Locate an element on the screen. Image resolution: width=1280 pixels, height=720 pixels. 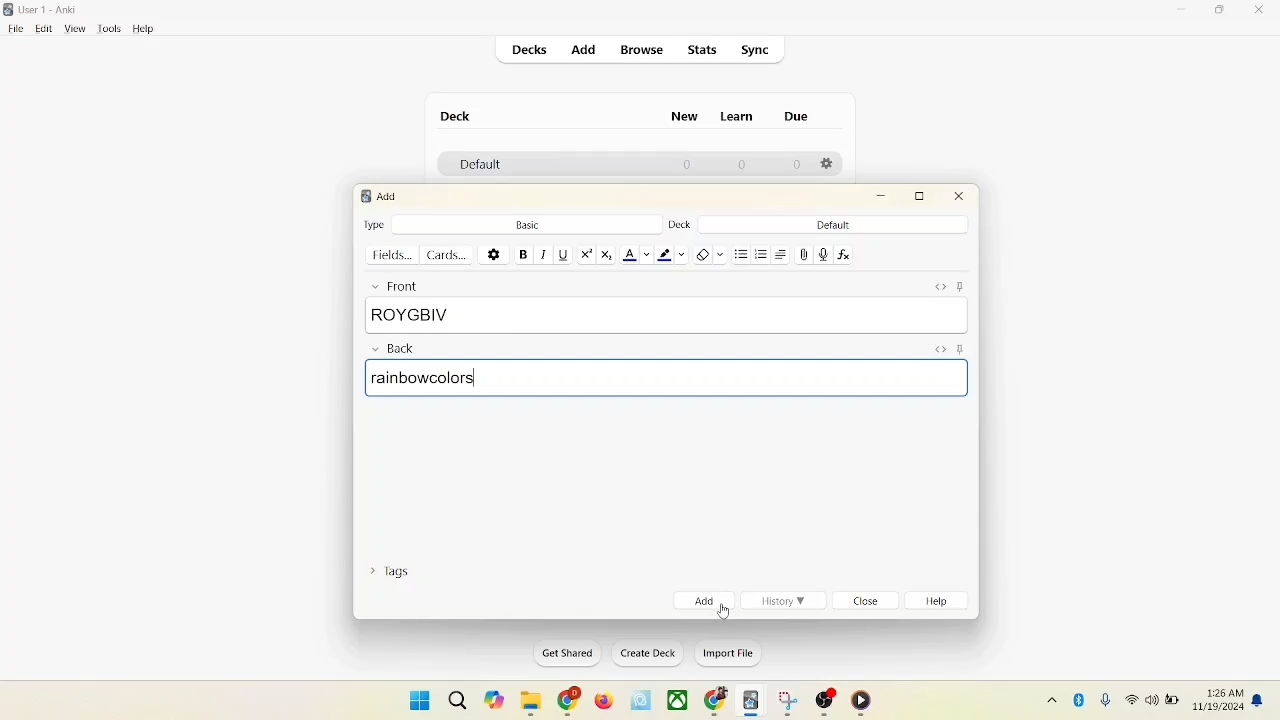
add is located at coordinates (389, 196).